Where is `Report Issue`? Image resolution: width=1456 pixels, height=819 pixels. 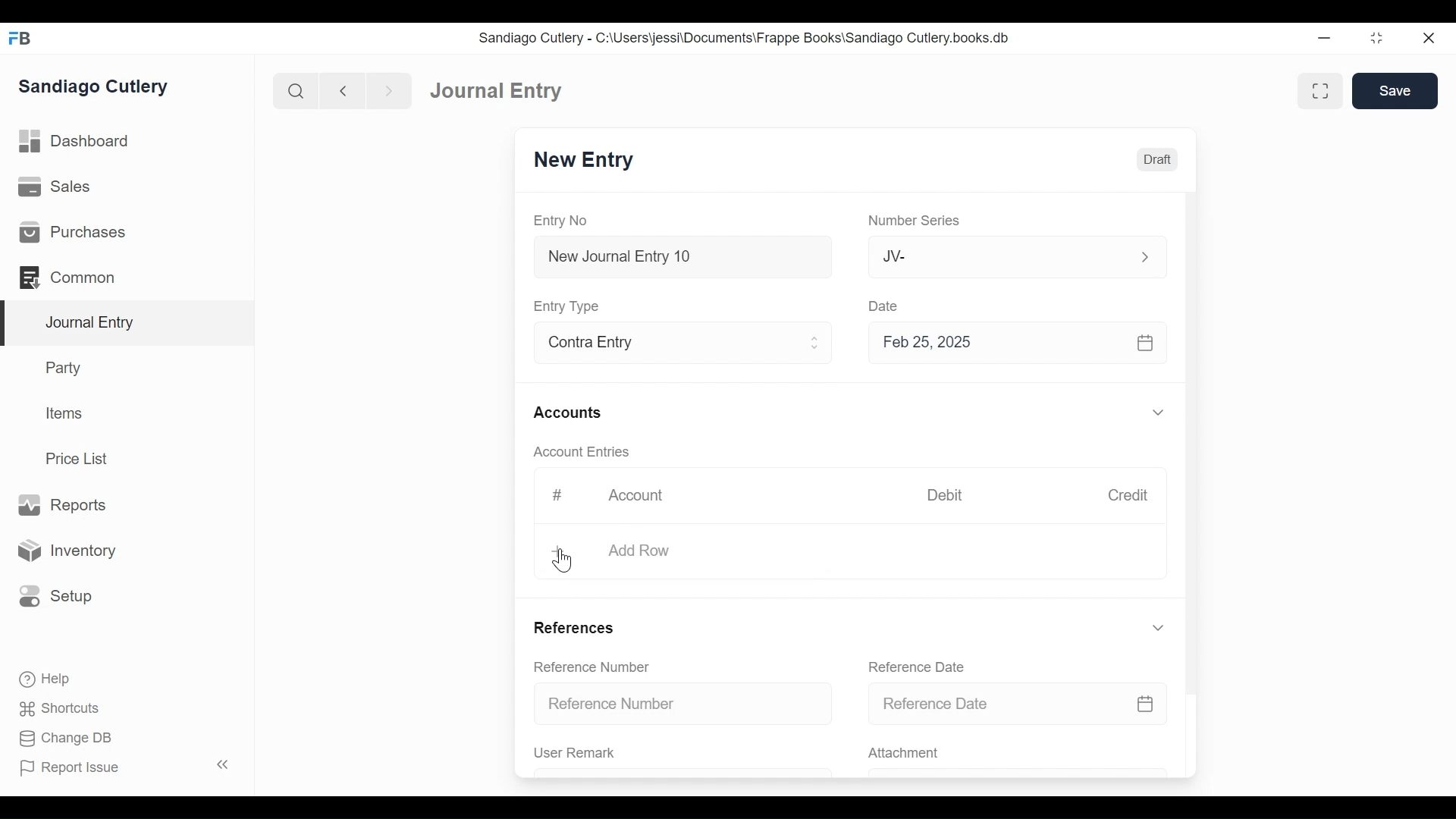
Report Issue is located at coordinates (124, 767).